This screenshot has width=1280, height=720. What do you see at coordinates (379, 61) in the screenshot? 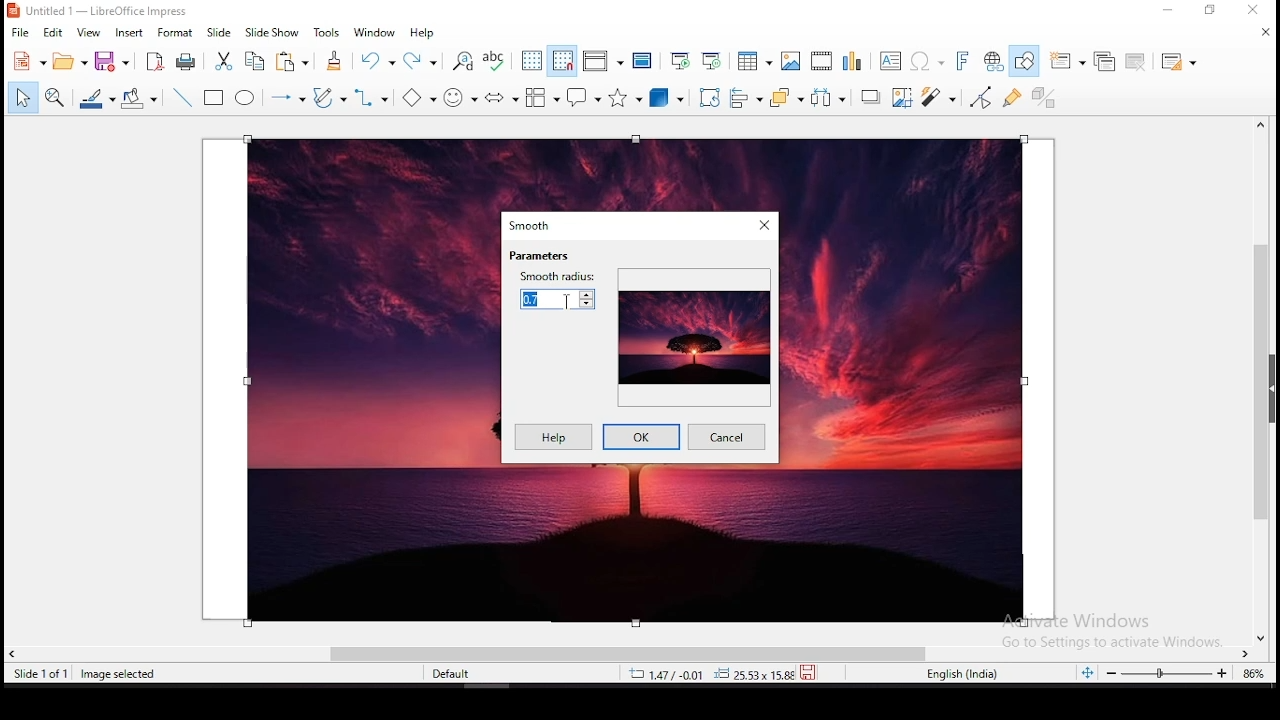
I see `undo` at bounding box center [379, 61].